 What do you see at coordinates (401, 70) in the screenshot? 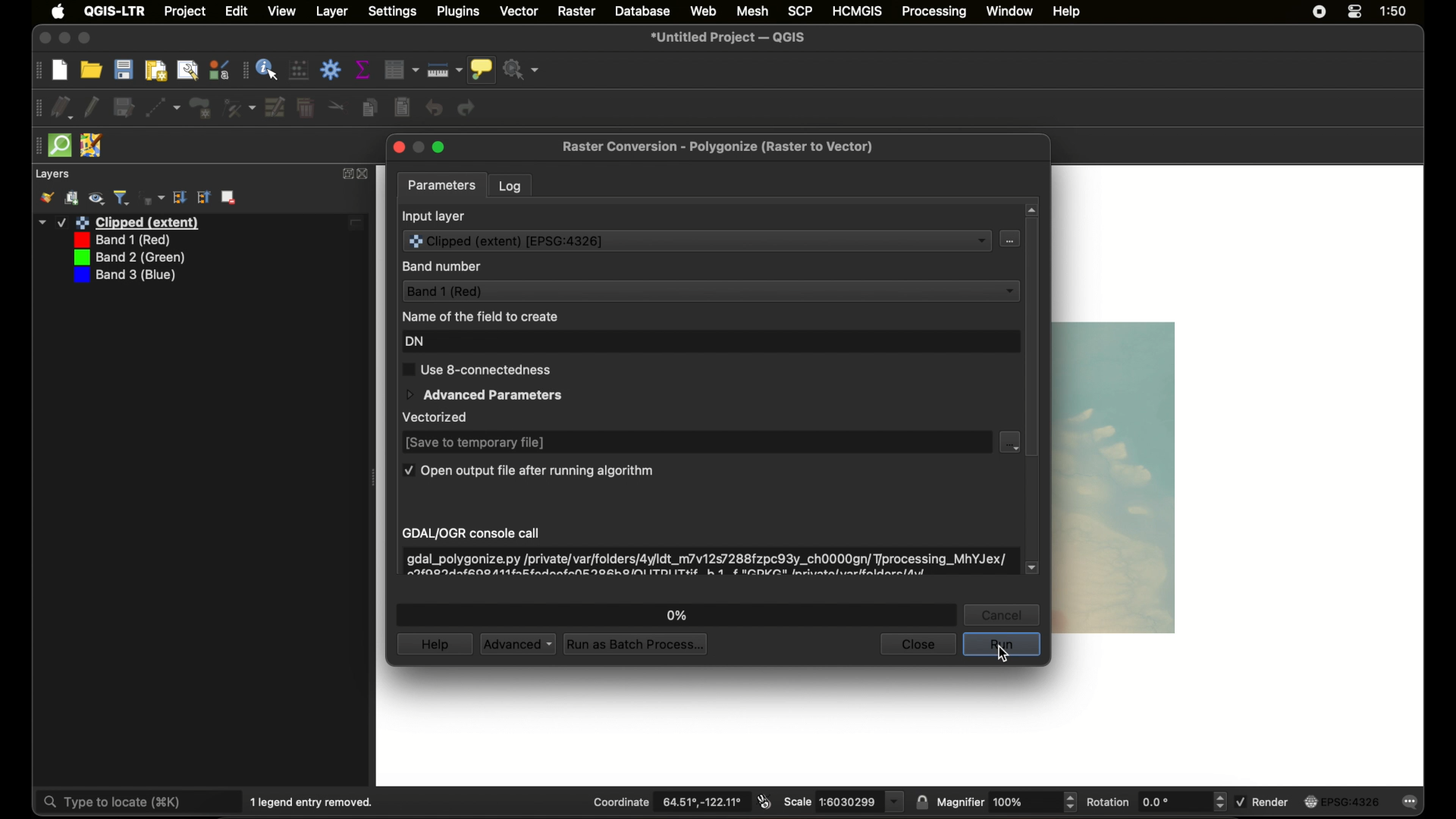
I see `open attribute table` at bounding box center [401, 70].